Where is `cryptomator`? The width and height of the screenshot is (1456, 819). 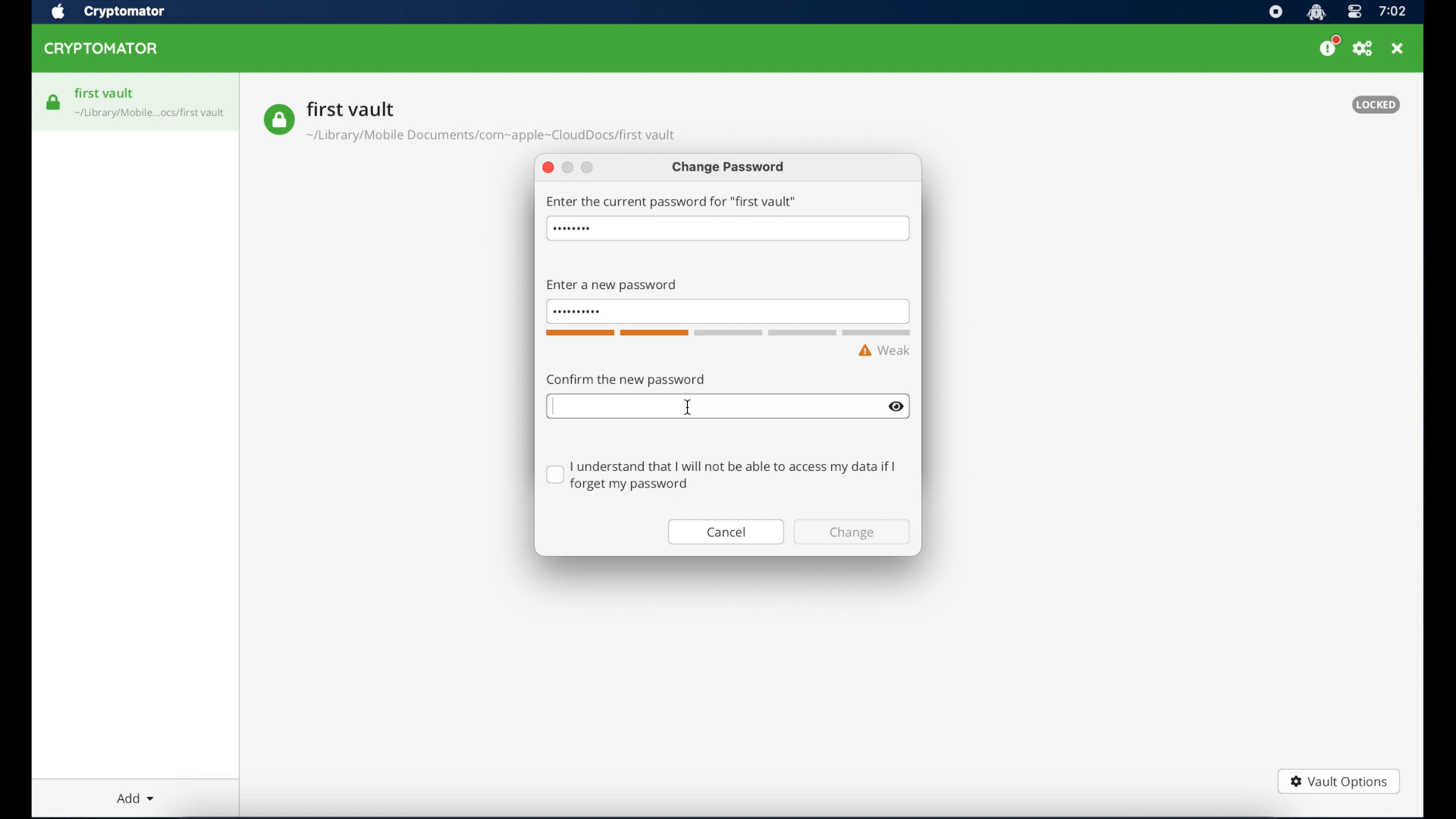 cryptomator is located at coordinates (102, 49).